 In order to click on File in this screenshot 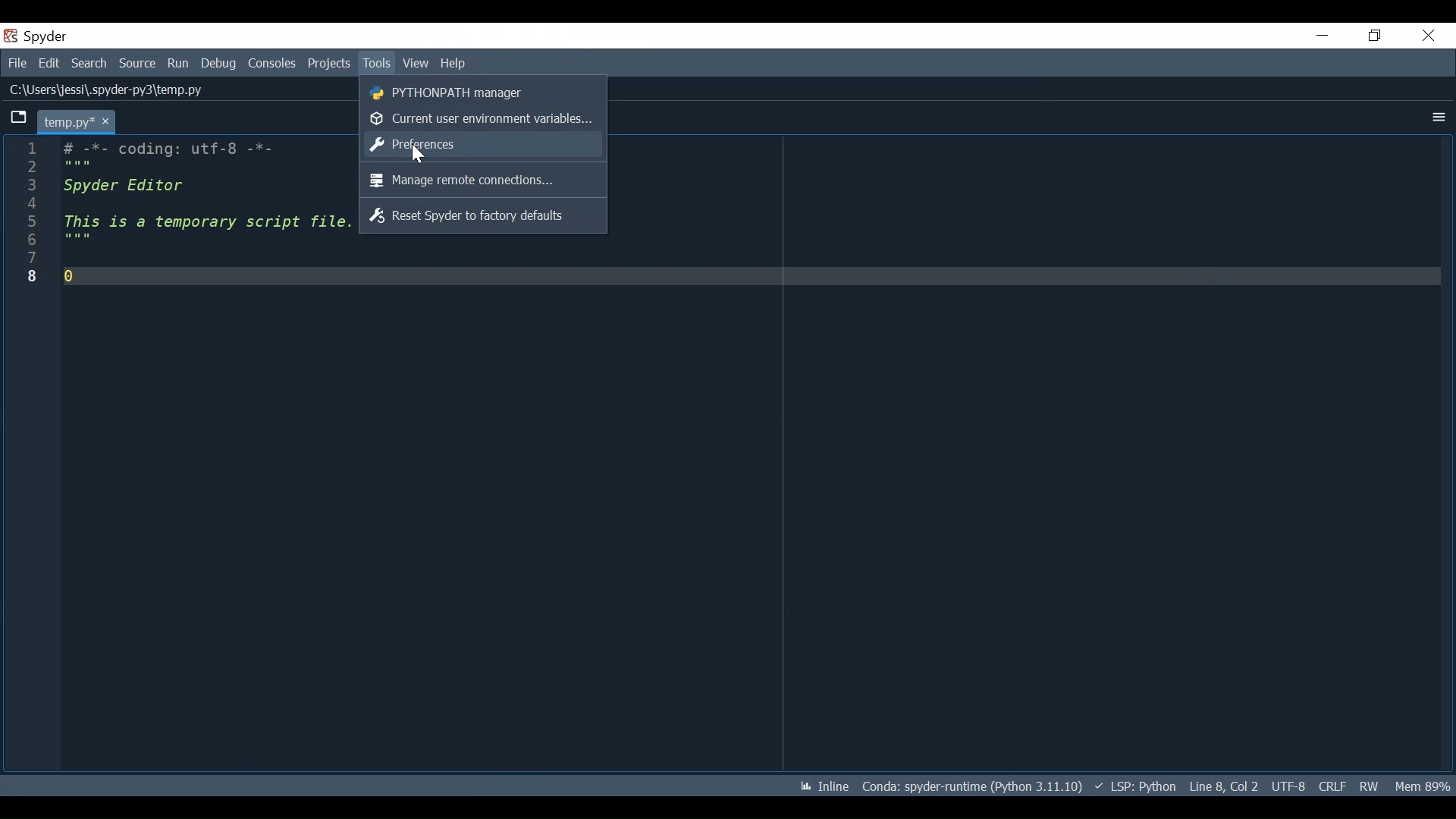, I will do `click(17, 63)`.